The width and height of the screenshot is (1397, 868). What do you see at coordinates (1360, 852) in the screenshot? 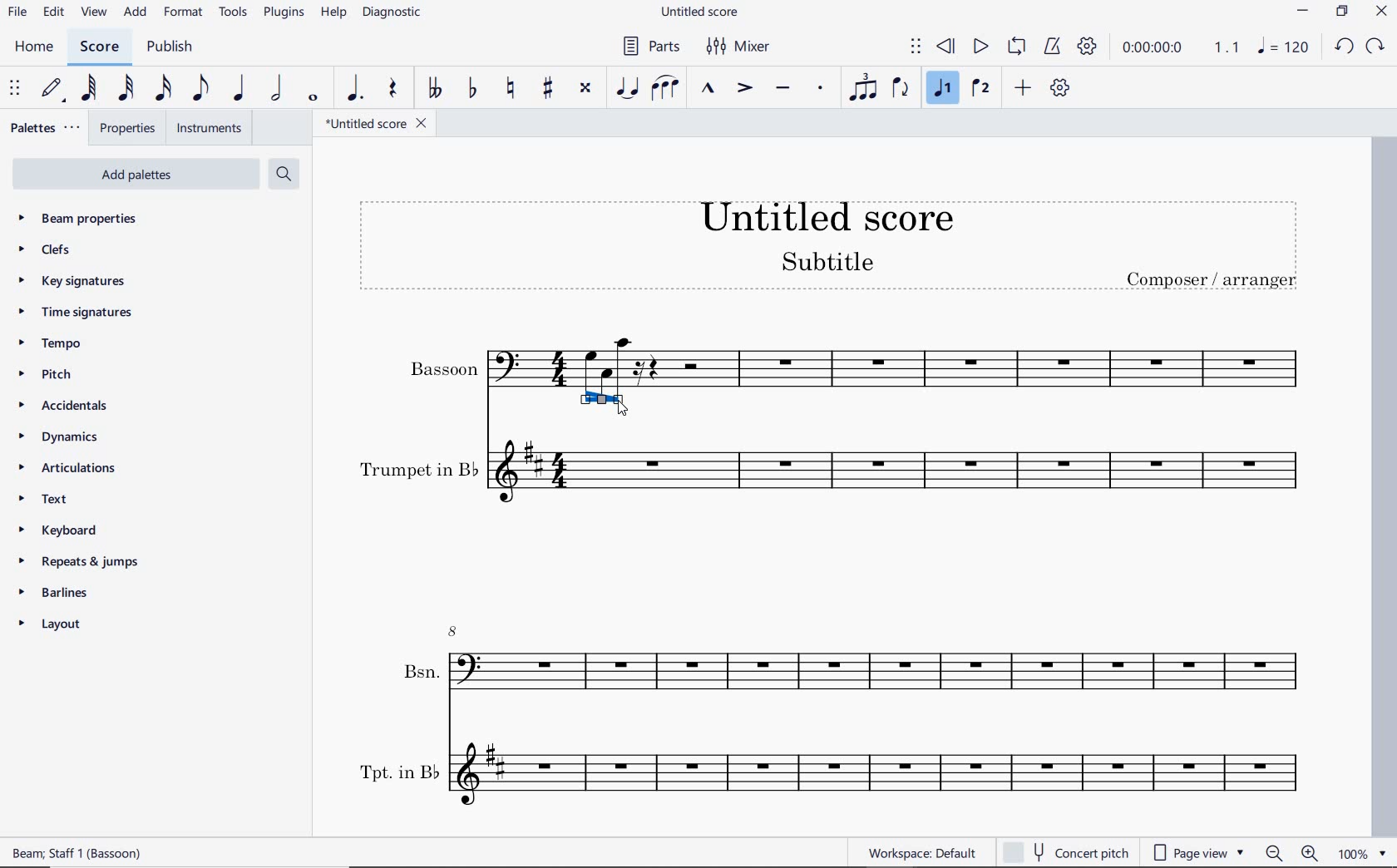
I see `zoom factor` at bounding box center [1360, 852].